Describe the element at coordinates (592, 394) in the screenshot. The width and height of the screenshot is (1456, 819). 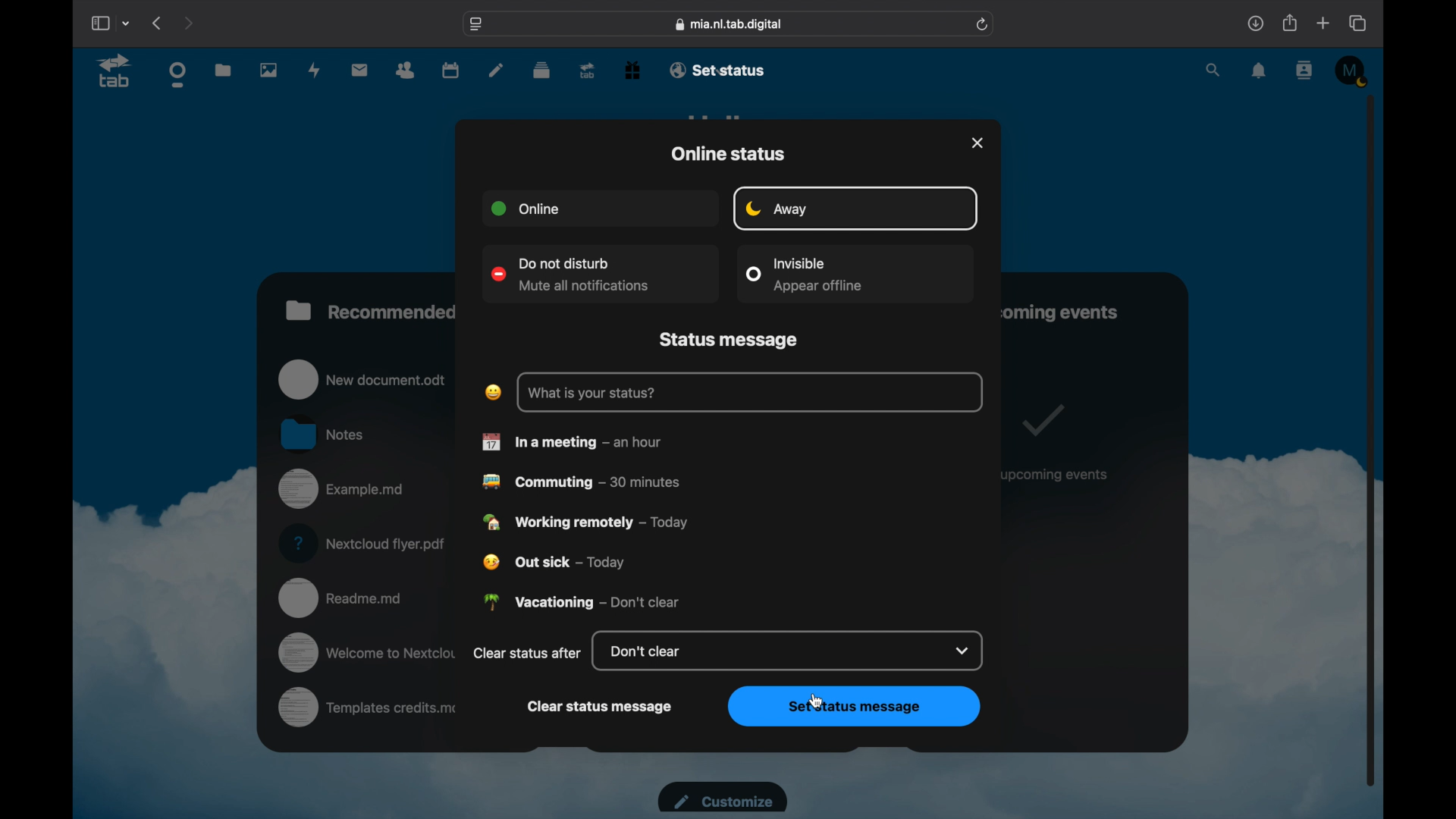
I see `what is your status?` at that location.